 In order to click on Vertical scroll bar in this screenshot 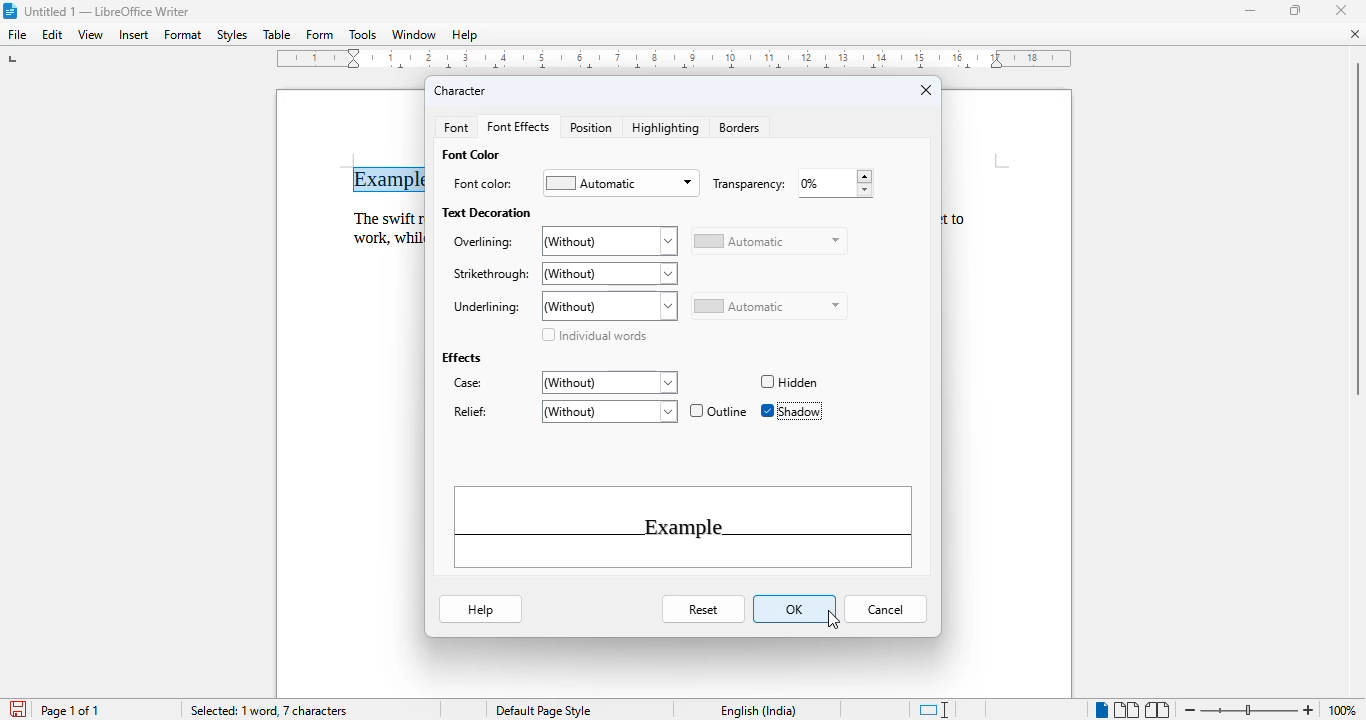, I will do `click(1357, 230)`.